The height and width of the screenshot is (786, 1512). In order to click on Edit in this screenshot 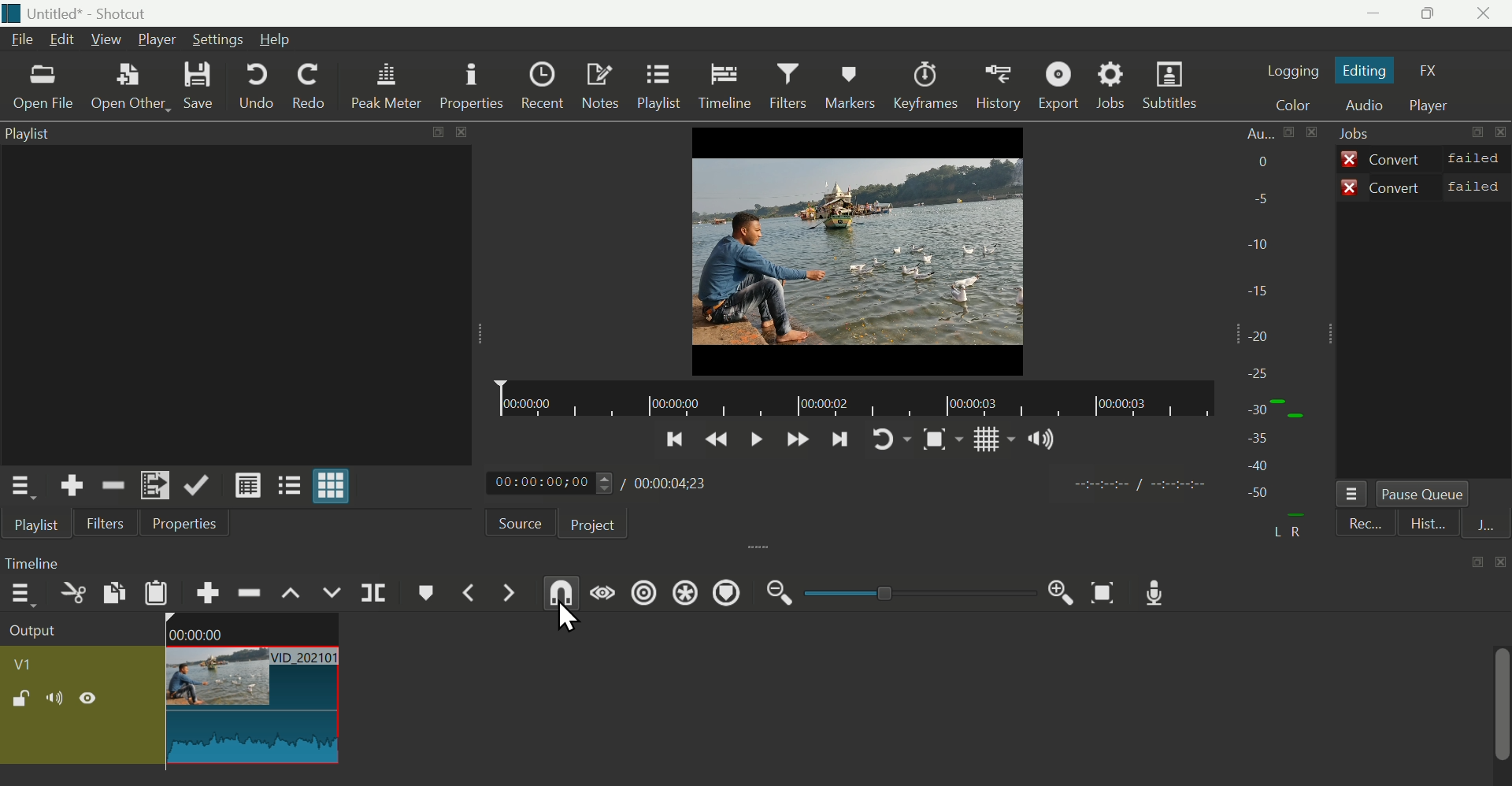, I will do `click(62, 43)`.